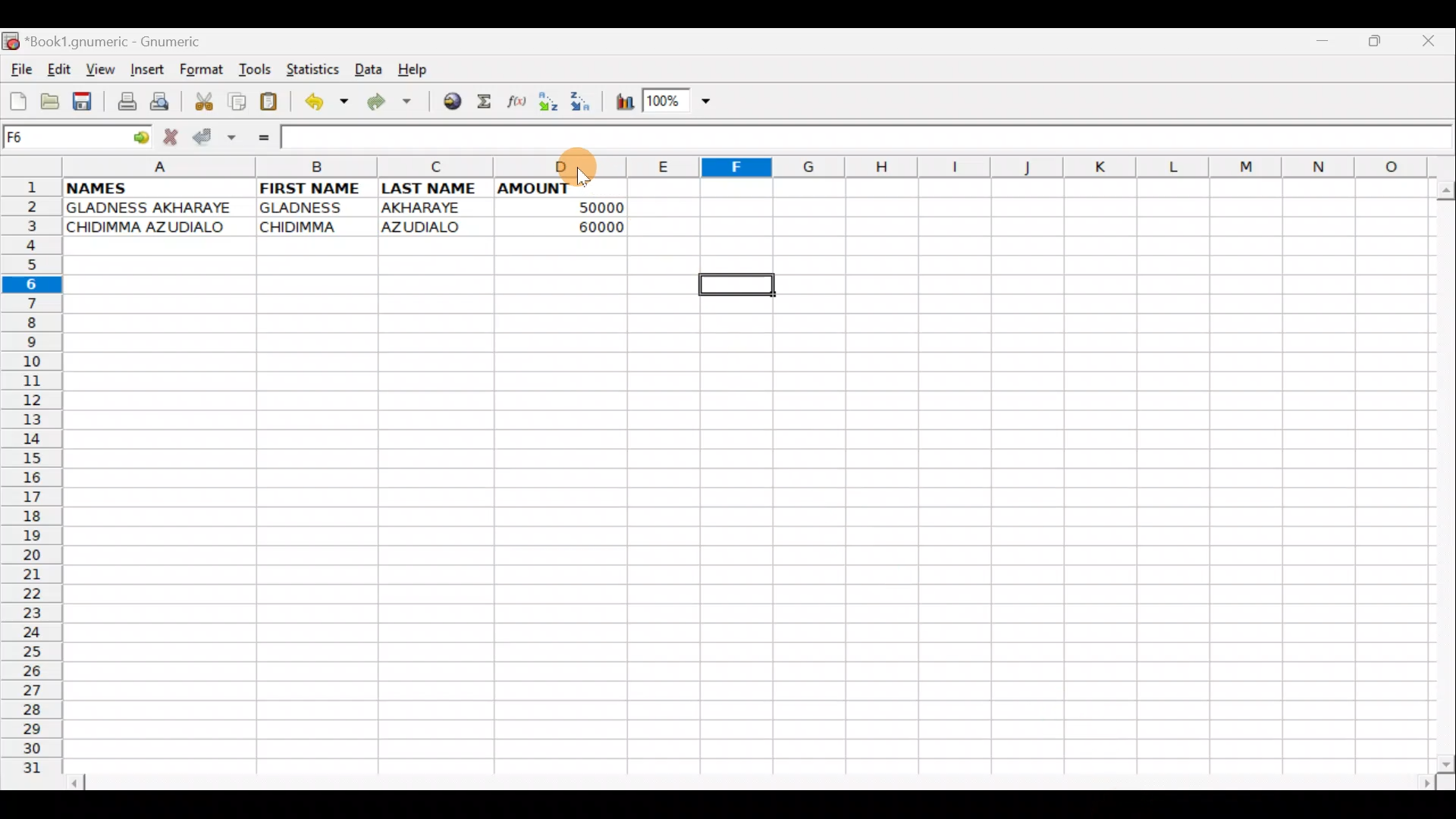 The width and height of the screenshot is (1456, 819). What do you see at coordinates (1375, 45) in the screenshot?
I see `Maximize` at bounding box center [1375, 45].